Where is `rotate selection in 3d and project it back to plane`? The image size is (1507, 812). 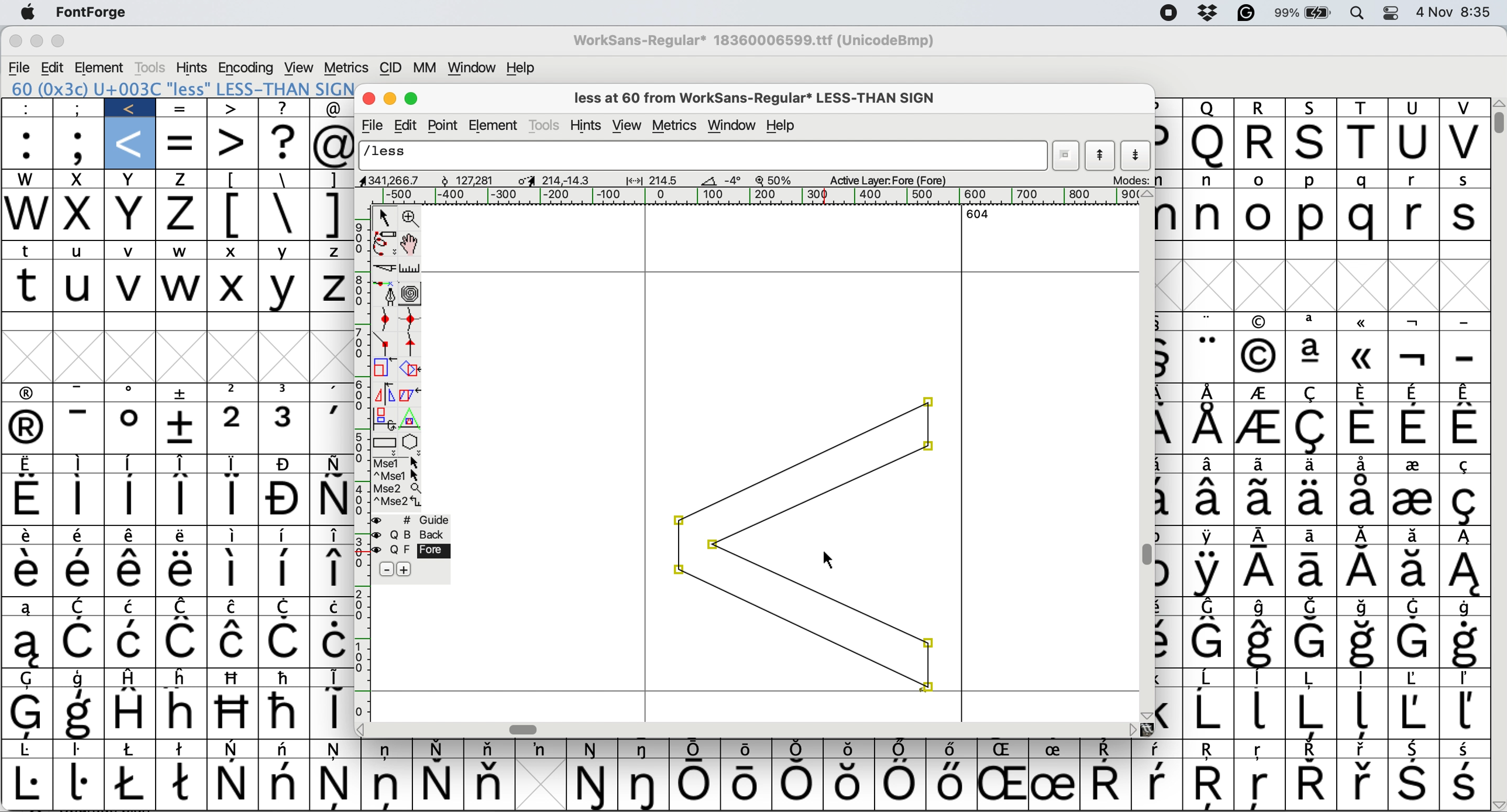 rotate selection in 3d and project it back to plane is located at coordinates (385, 417).